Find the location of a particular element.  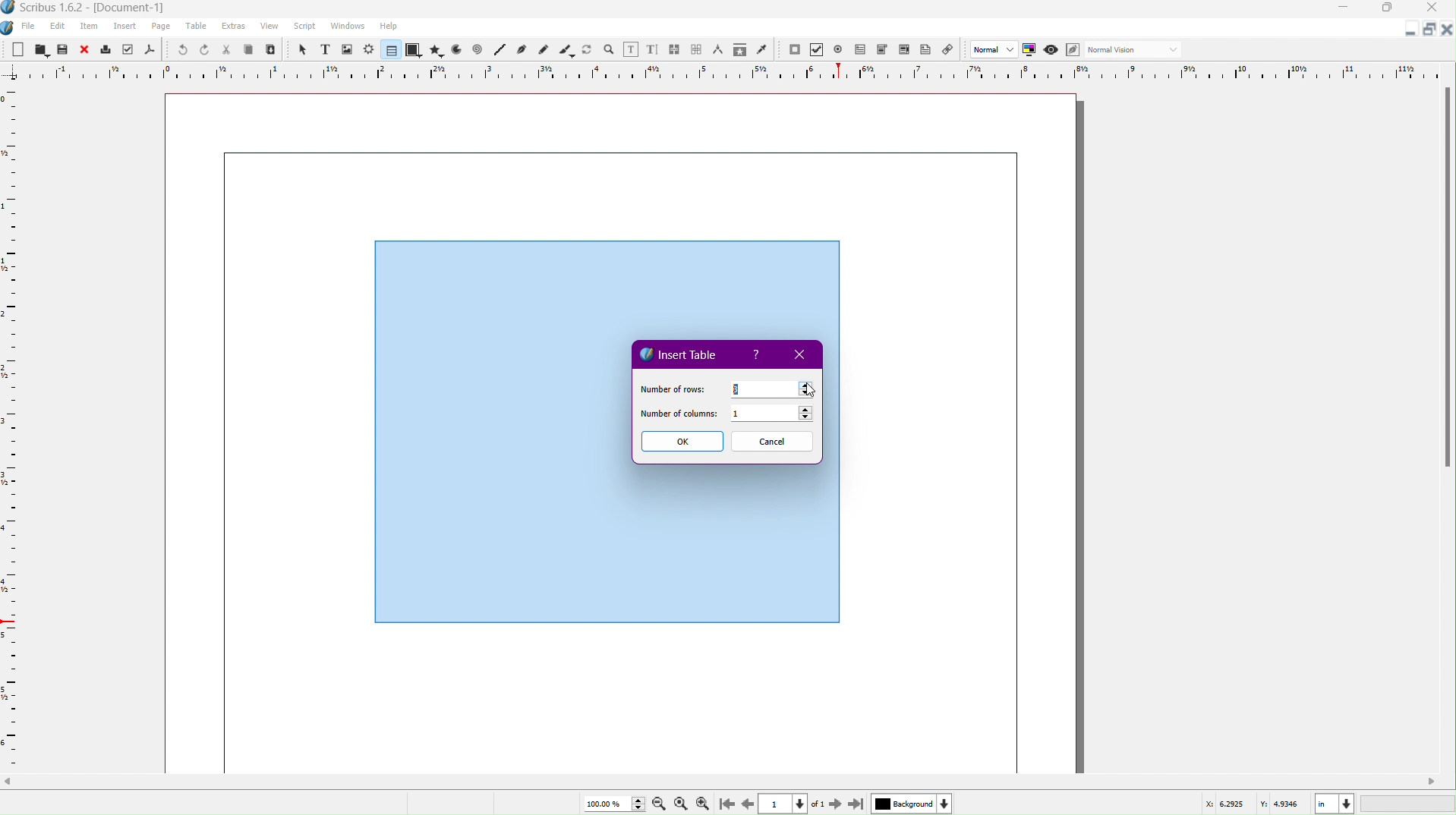

Number of Rows is located at coordinates (671, 388).